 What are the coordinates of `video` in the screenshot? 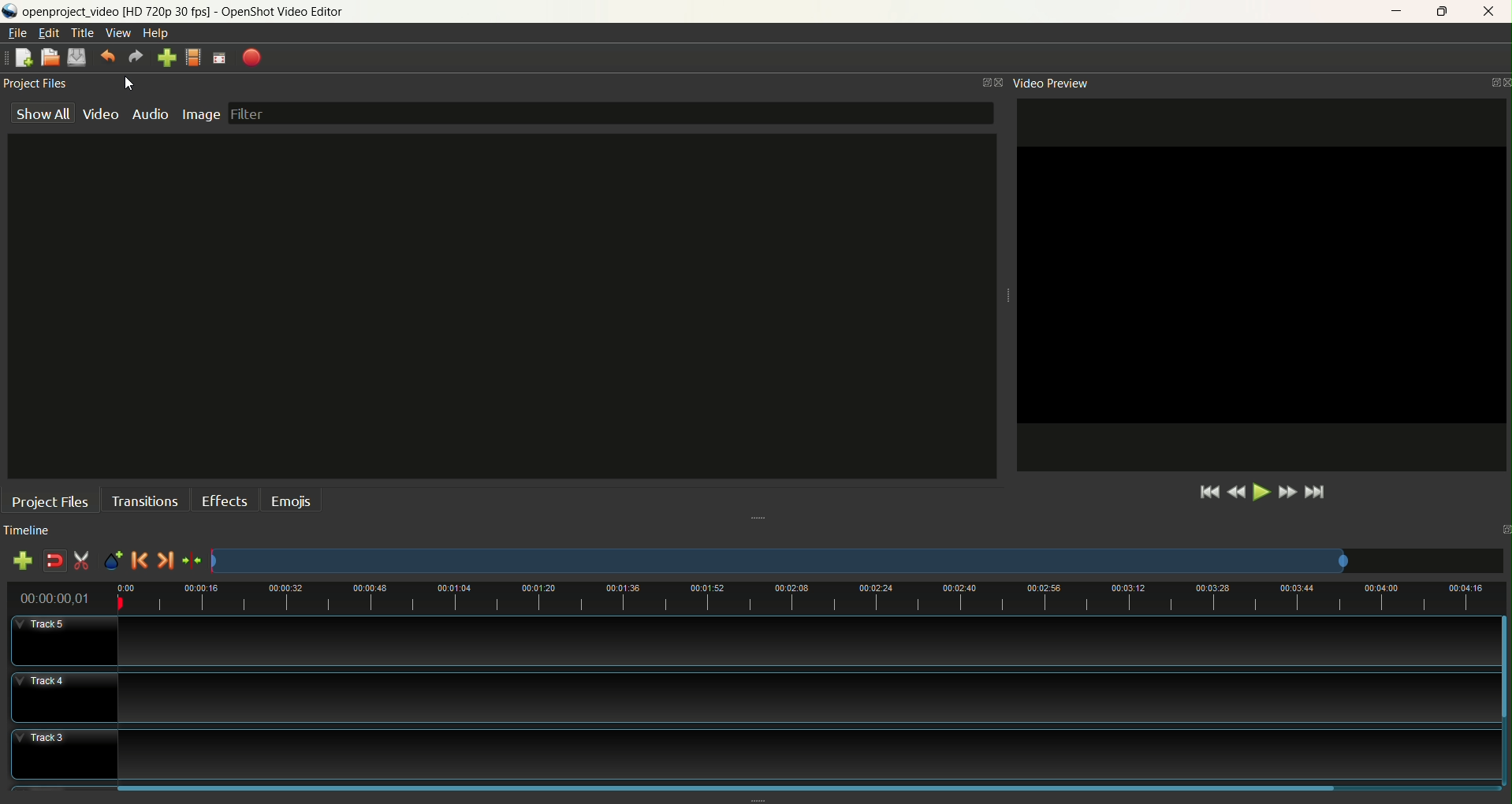 It's located at (106, 113).